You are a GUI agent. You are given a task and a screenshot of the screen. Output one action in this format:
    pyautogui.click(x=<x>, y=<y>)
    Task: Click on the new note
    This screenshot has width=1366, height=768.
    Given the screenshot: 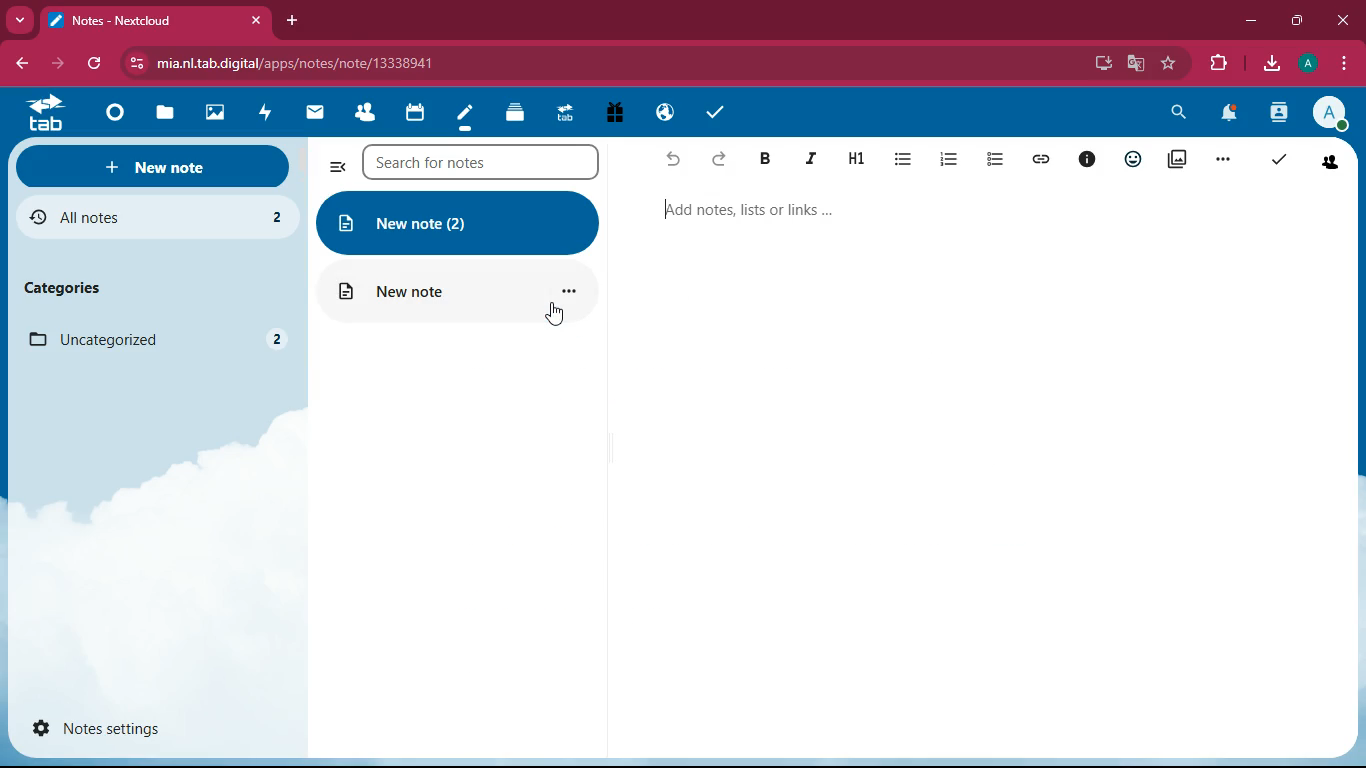 What is the action you would take?
    pyautogui.click(x=457, y=293)
    